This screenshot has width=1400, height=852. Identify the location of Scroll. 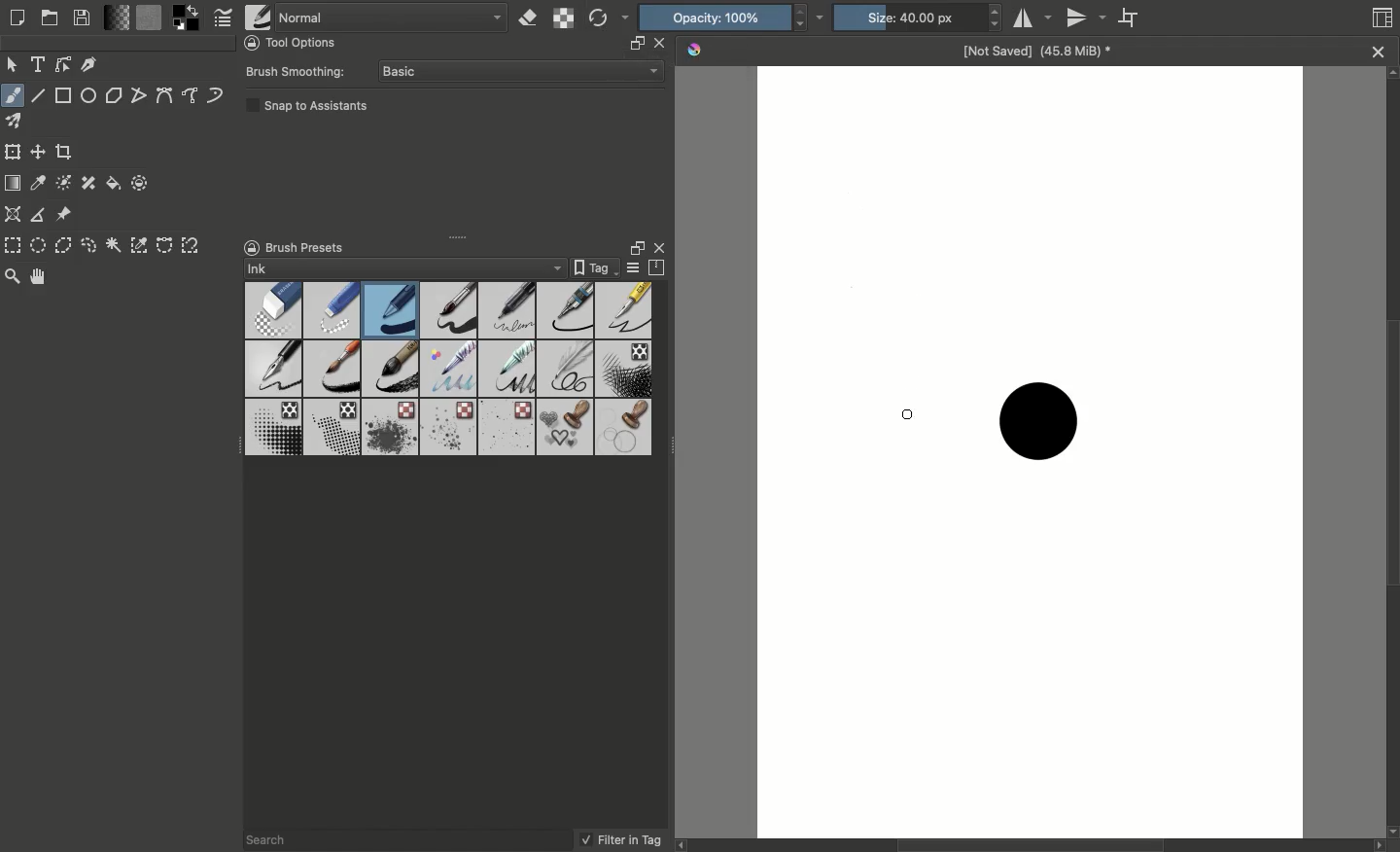
(1391, 452).